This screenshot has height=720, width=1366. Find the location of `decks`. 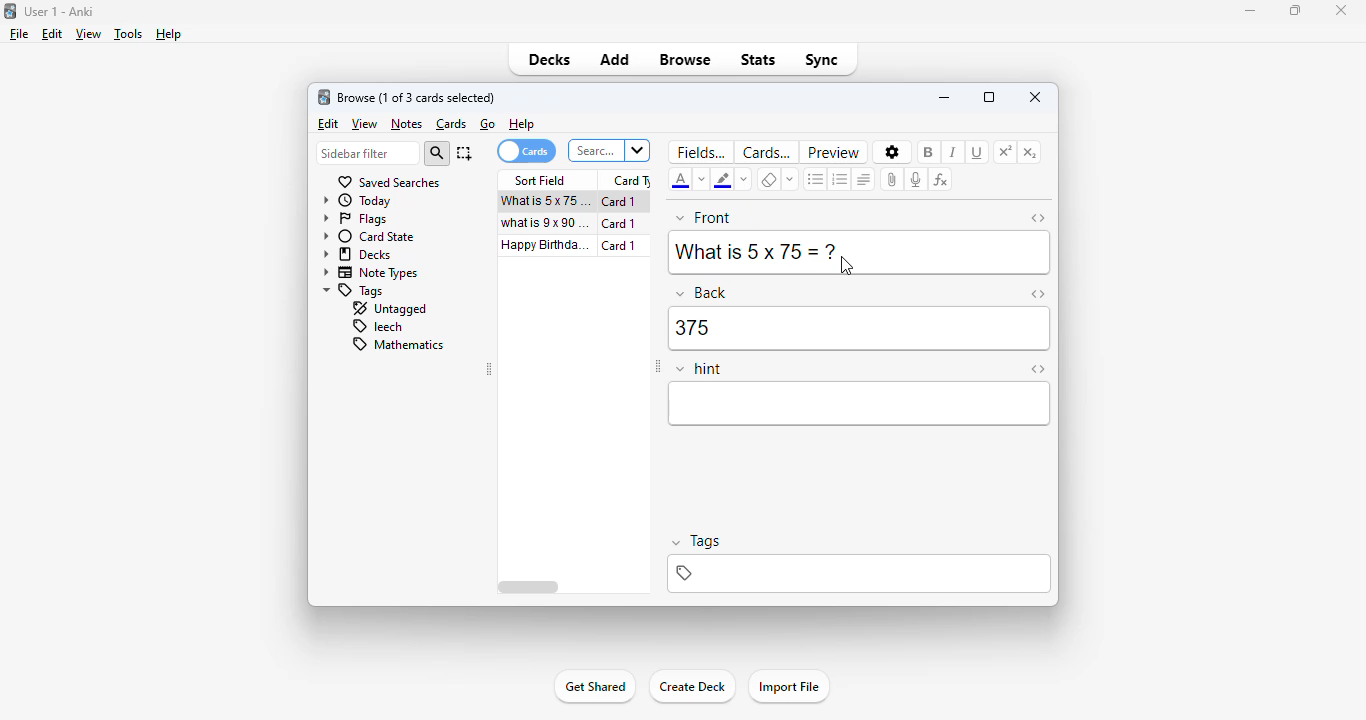

decks is located at coordinates (551, 59).